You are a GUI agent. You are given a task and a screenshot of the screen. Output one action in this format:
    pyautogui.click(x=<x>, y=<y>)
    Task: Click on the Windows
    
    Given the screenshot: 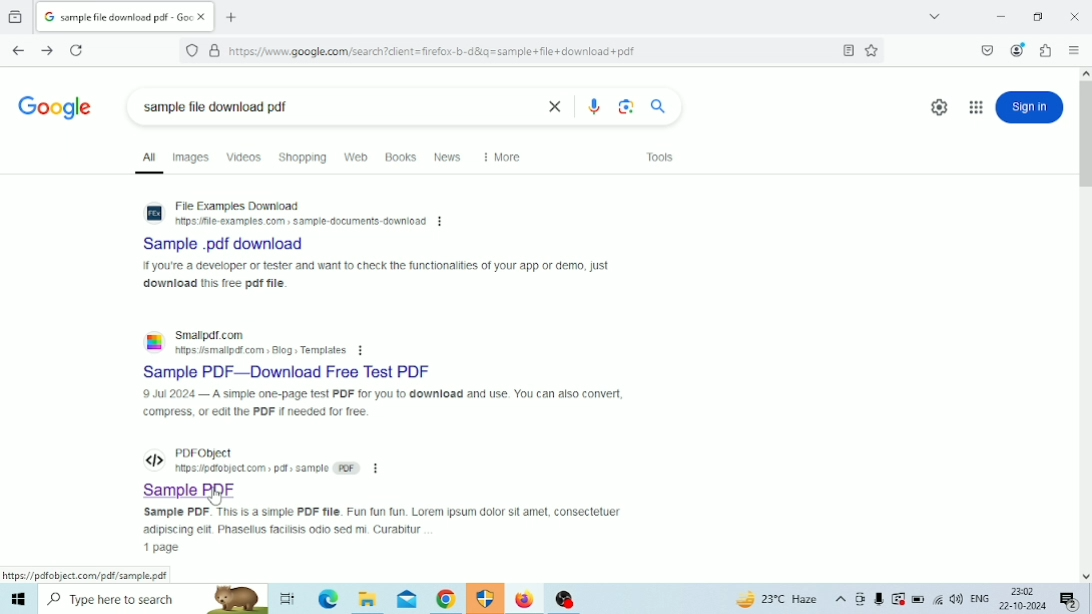 What is the action you would take?
    pyautogui.click(x=18, y=599)
    